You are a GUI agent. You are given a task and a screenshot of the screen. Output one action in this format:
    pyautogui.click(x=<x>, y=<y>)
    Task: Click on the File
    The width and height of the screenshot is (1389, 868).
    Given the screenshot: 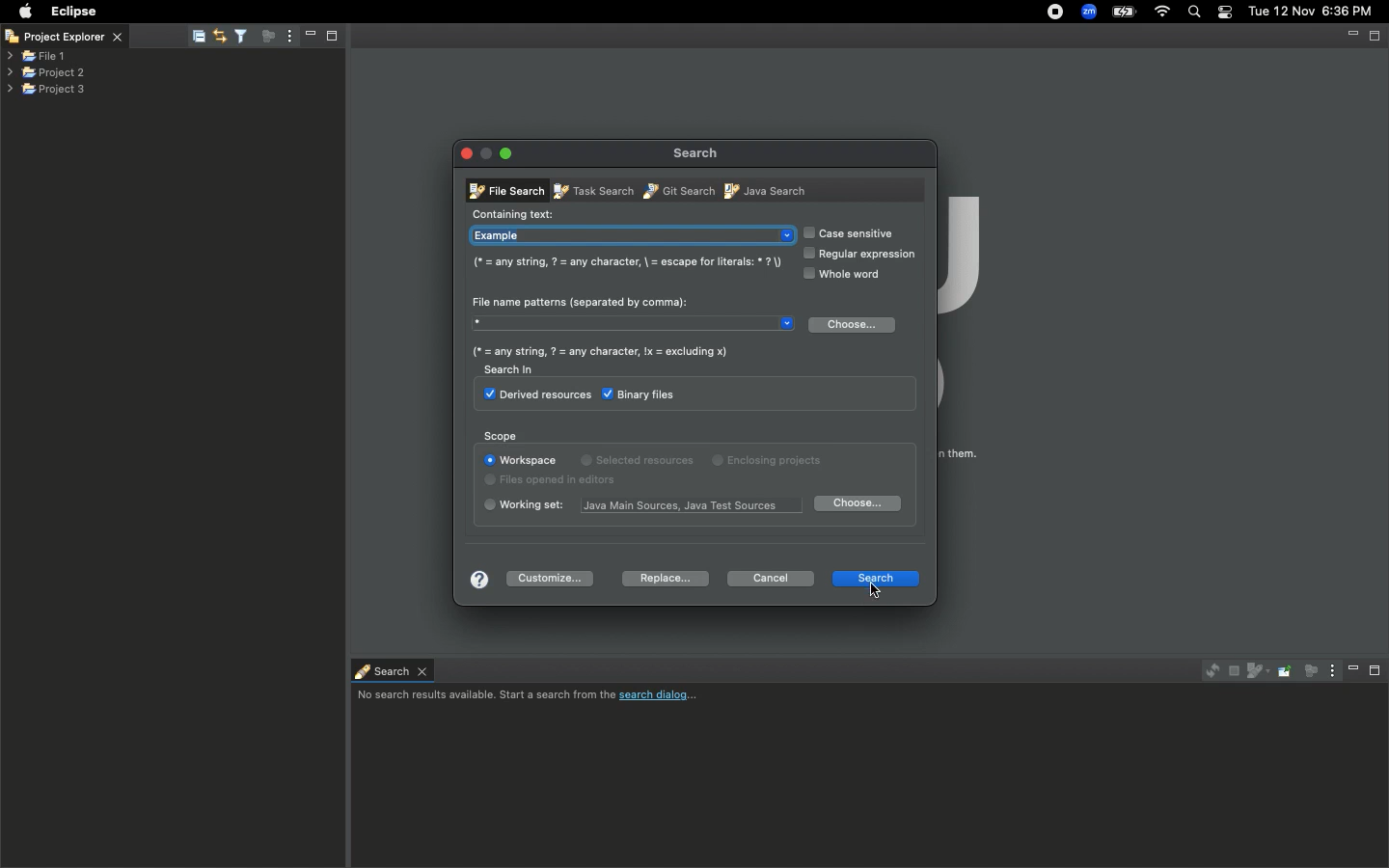 What is the action you would take?
    pyautogui.click(x=124, y=12)
    